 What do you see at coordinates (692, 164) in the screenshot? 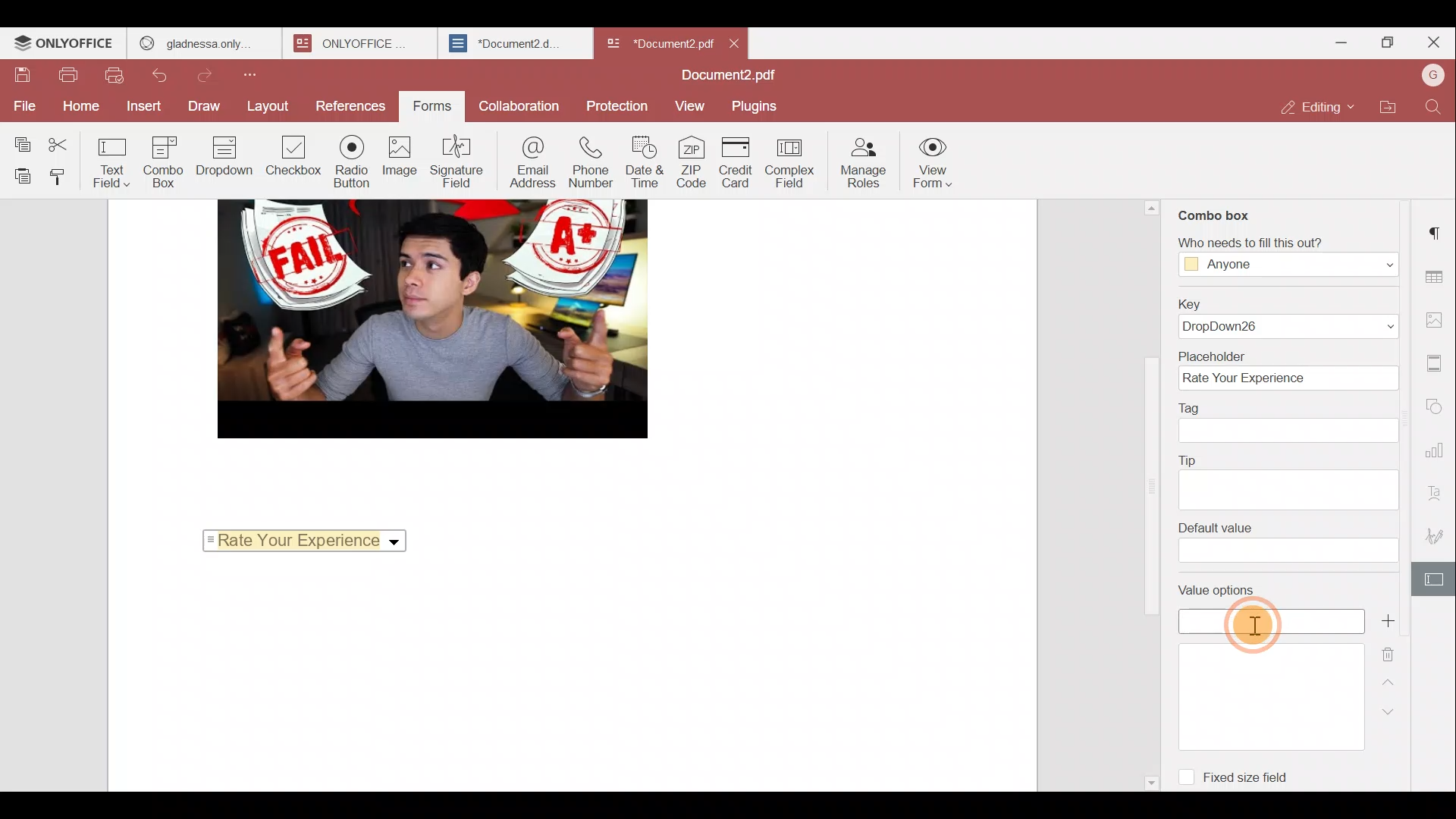
I see `ZIP code` at bounding box center [692, 164].